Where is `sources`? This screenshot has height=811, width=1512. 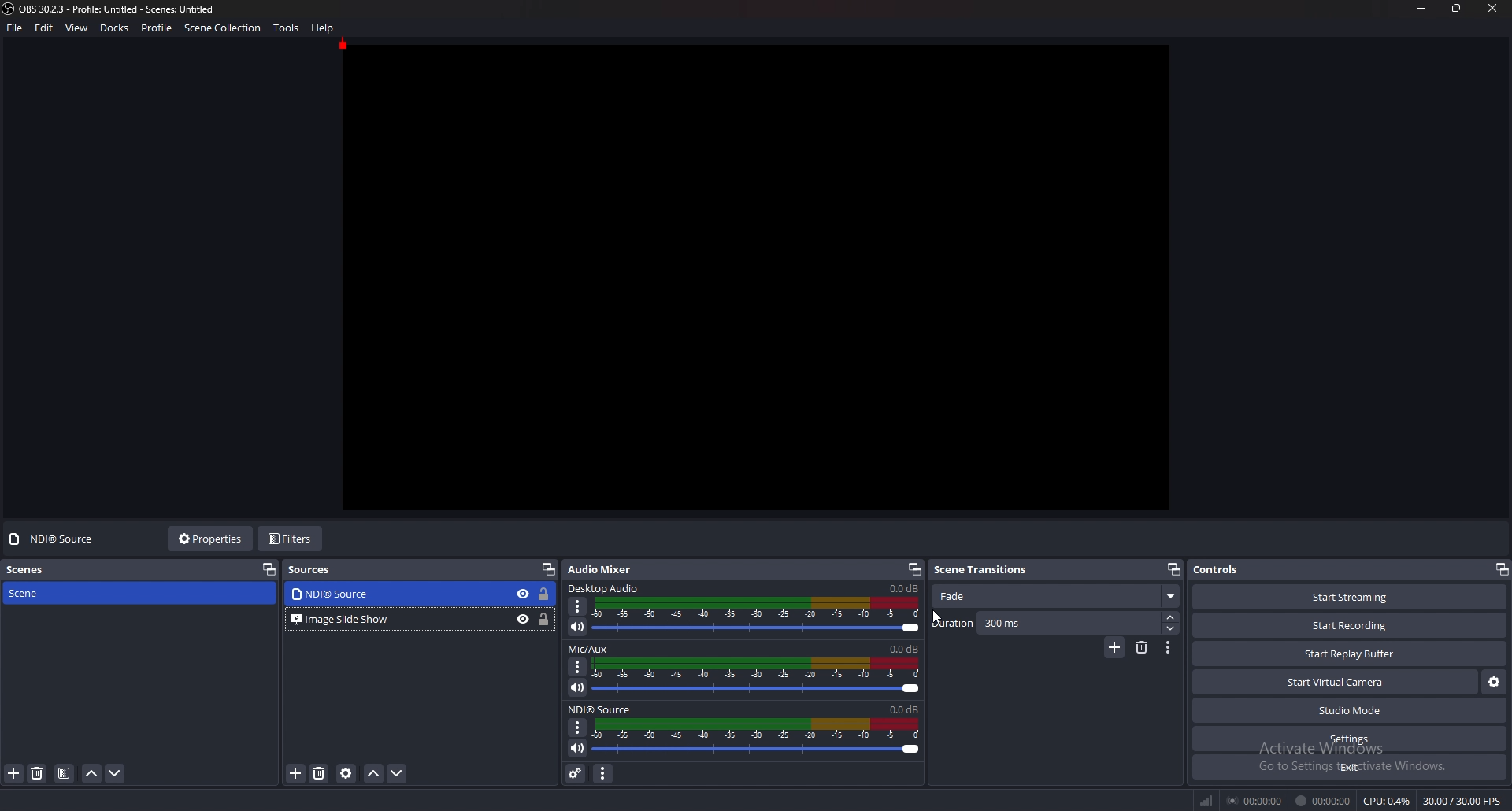
sources is located at coordinates (315, 568).